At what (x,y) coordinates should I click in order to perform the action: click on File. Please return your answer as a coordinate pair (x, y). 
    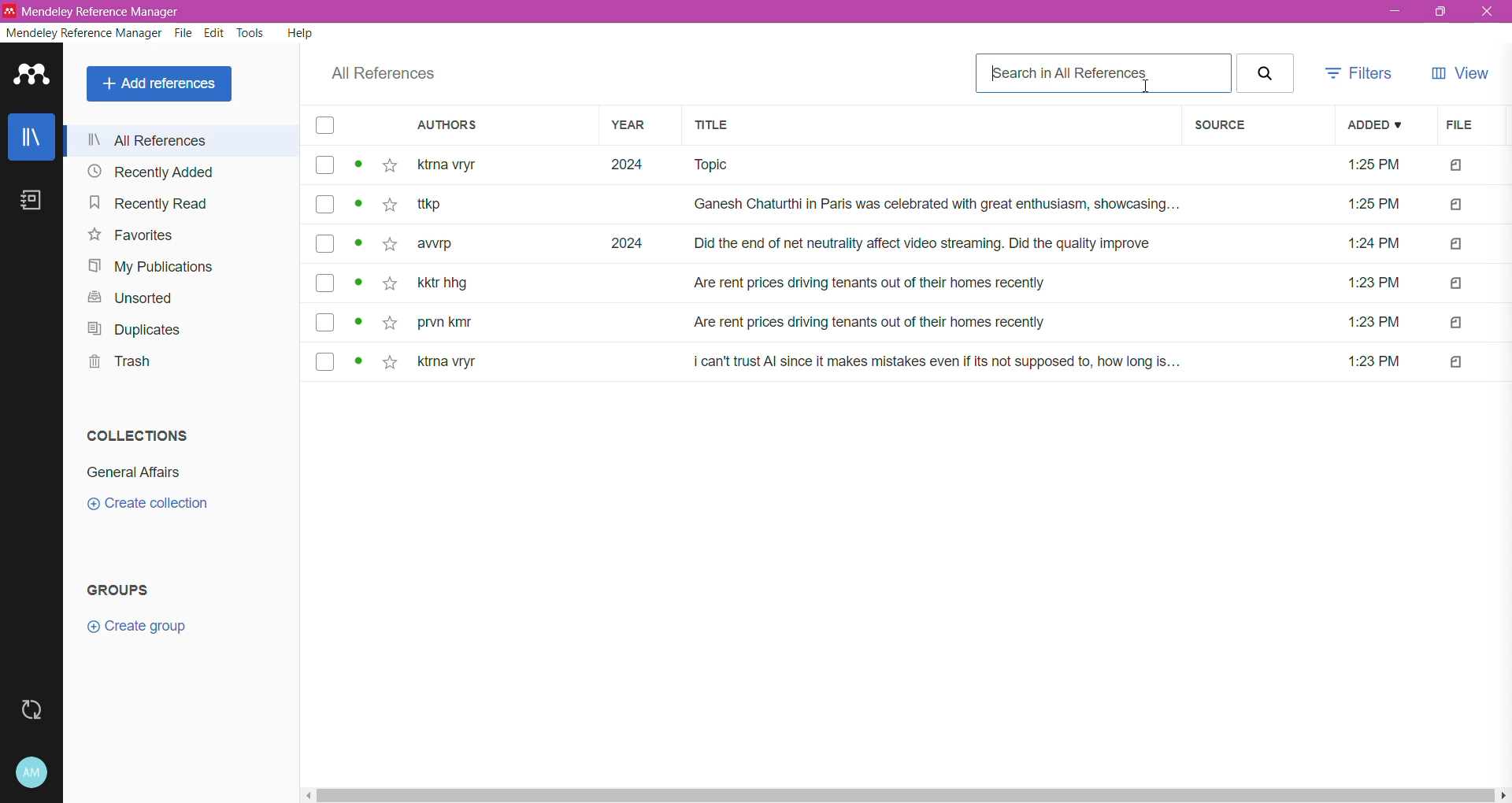
    Looking at the image, I should click on (184, 34).